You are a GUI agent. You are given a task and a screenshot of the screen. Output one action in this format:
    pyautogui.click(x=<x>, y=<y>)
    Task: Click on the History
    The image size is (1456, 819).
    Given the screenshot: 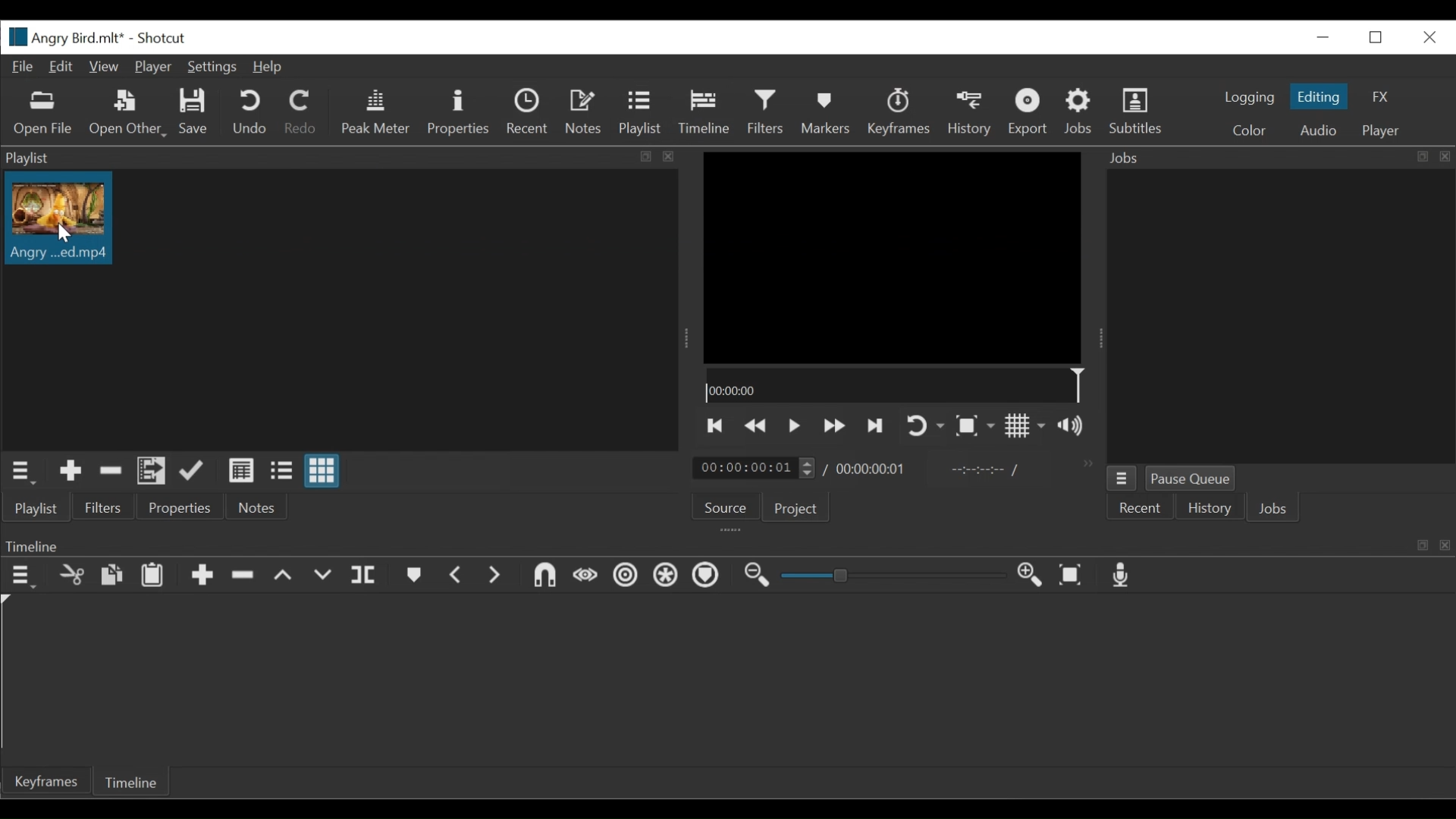 What is the action you would take?
    pyautogui.click(x=1209, y=507)
    